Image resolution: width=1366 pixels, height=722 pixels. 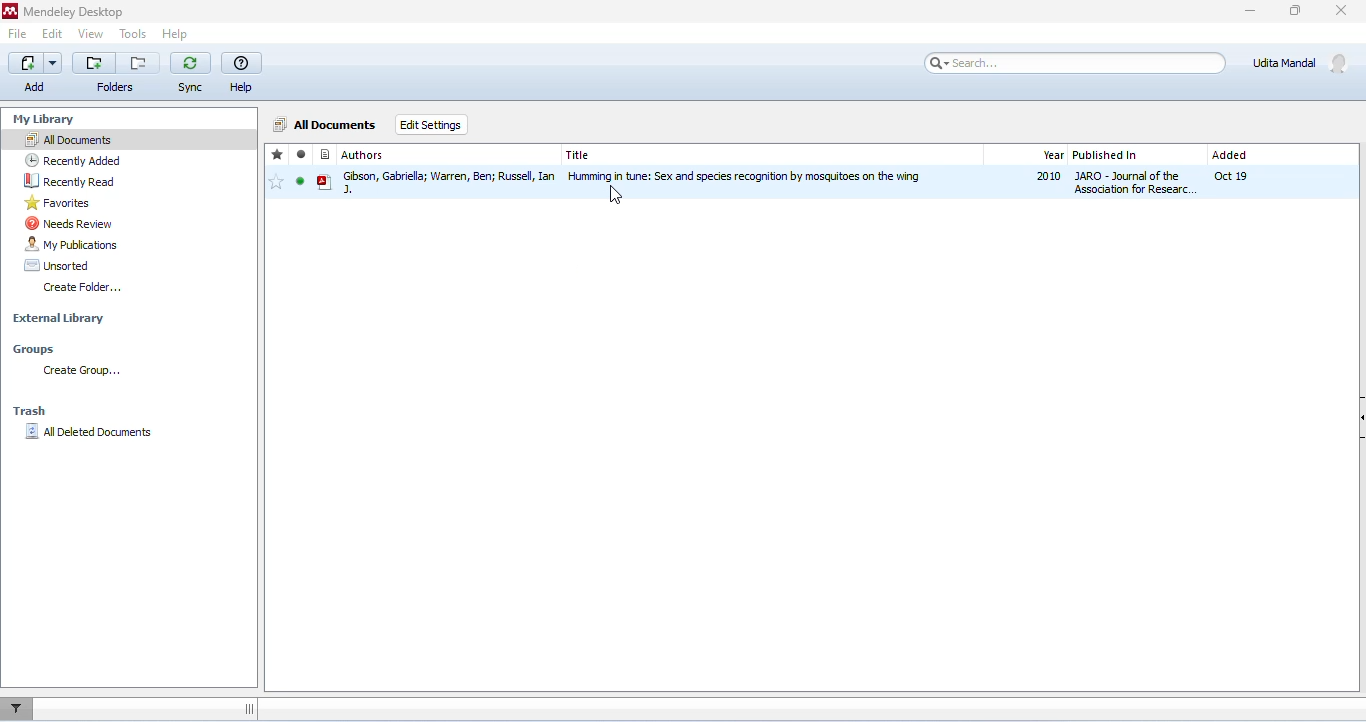 What do you see at coordinates (1357, 411) in the screenshot?
I see `hide/show` at bounding box center [1357, 411].